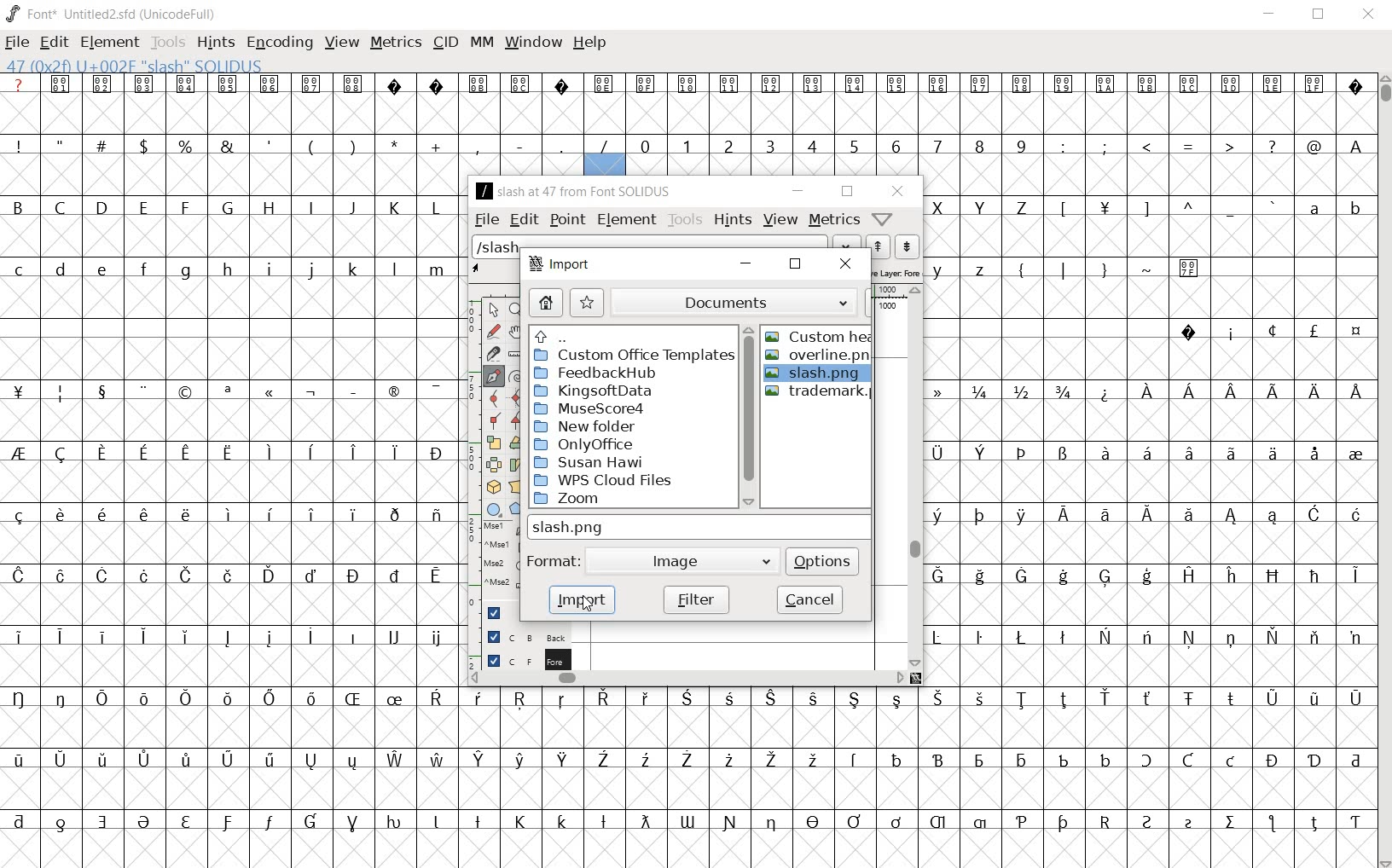  What do you see at coordinates (649, 560) in the screenshot?
I see `format` at bounding box center [649, 560].